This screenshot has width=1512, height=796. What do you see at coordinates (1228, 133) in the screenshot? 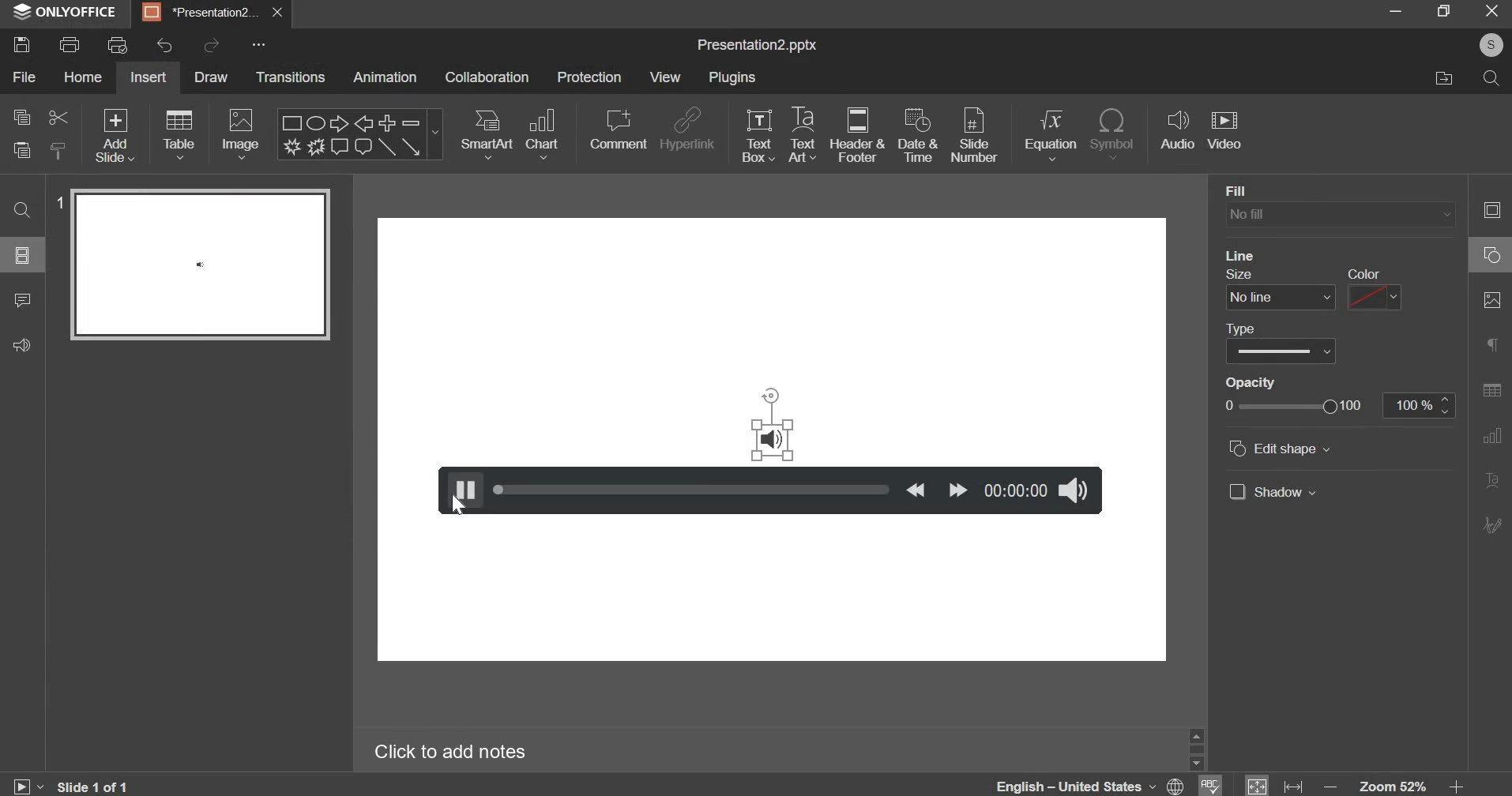
I see `insert video` at bounding box center [1228, 133].